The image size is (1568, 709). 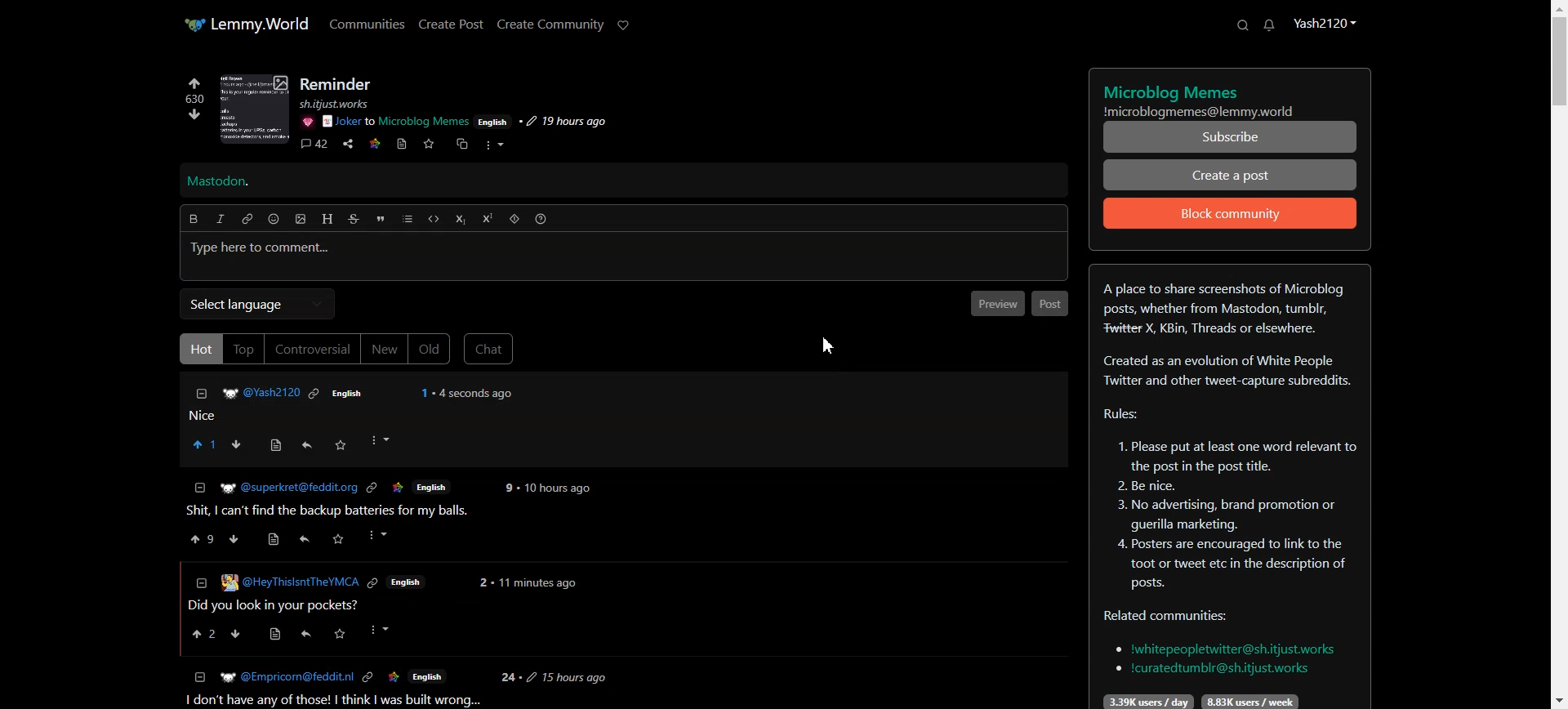 What do you see at coordinates (430, 350) in the screenshot?
I see `Old` at bounding box center [430, 350].